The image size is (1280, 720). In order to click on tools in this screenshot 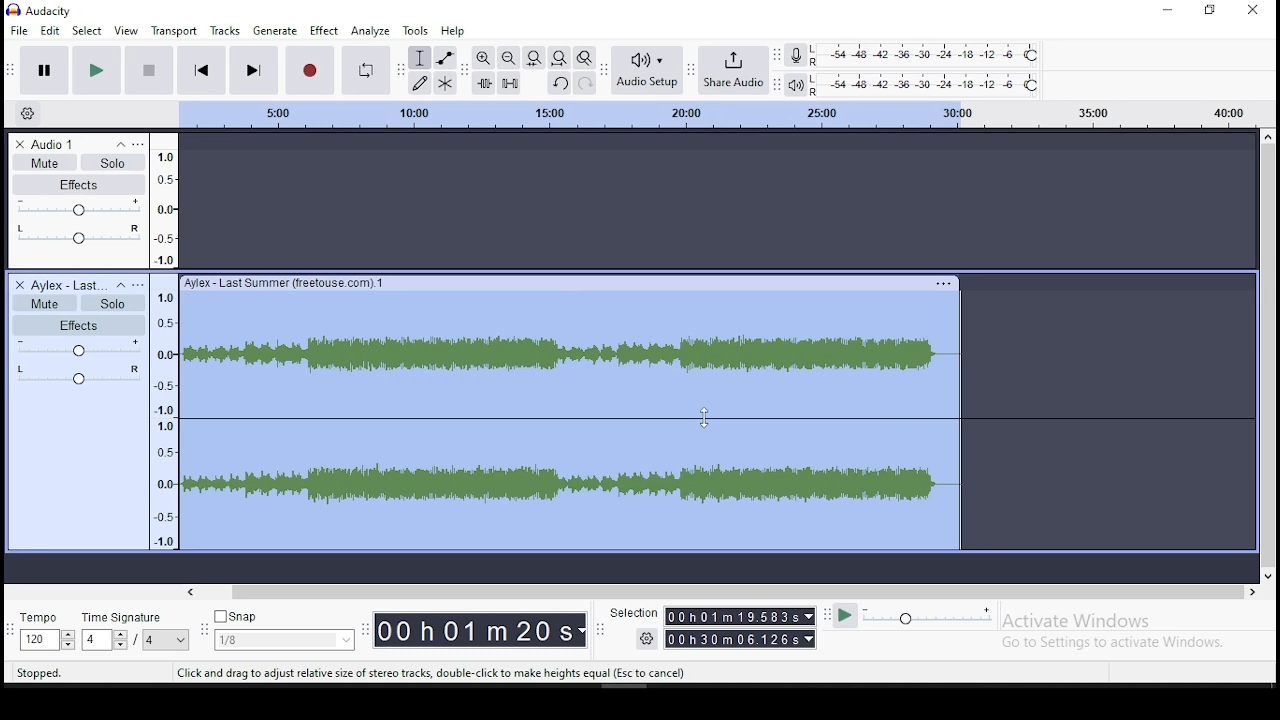, I will do `click(416, 31)`.